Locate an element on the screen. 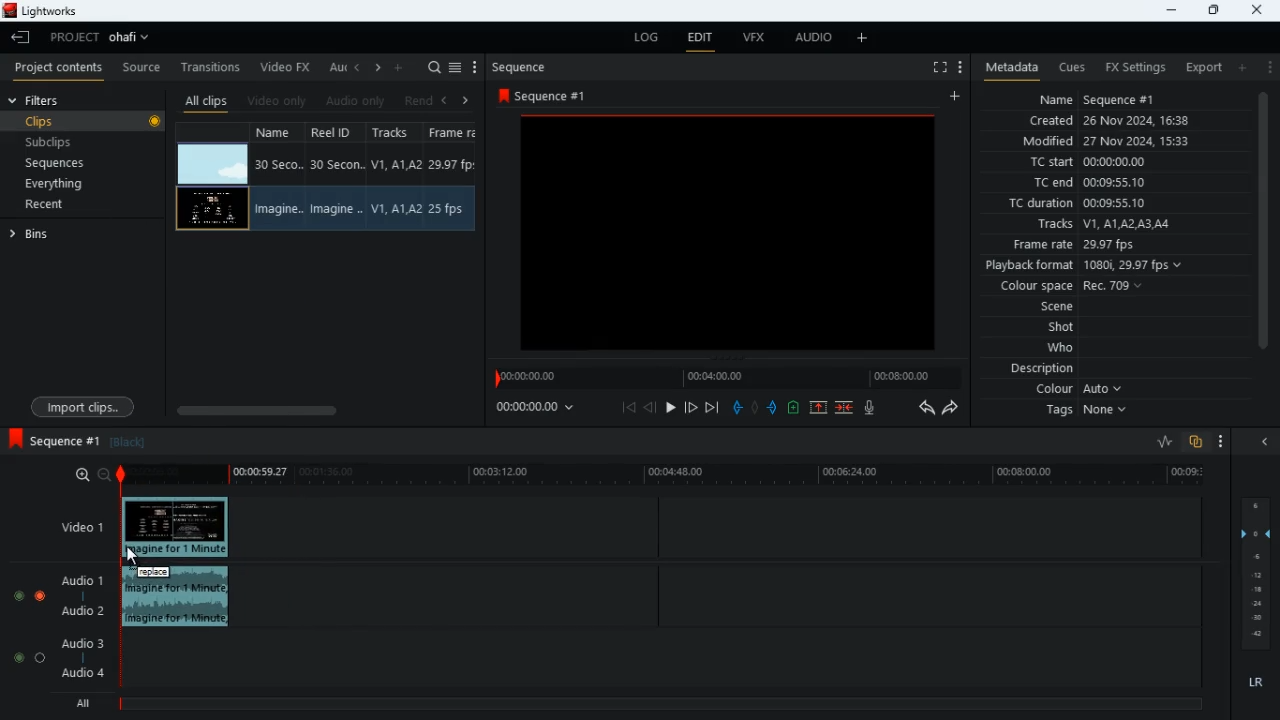 This screenshot has width=1280, height=720. left is located at coordinates (450, 99).